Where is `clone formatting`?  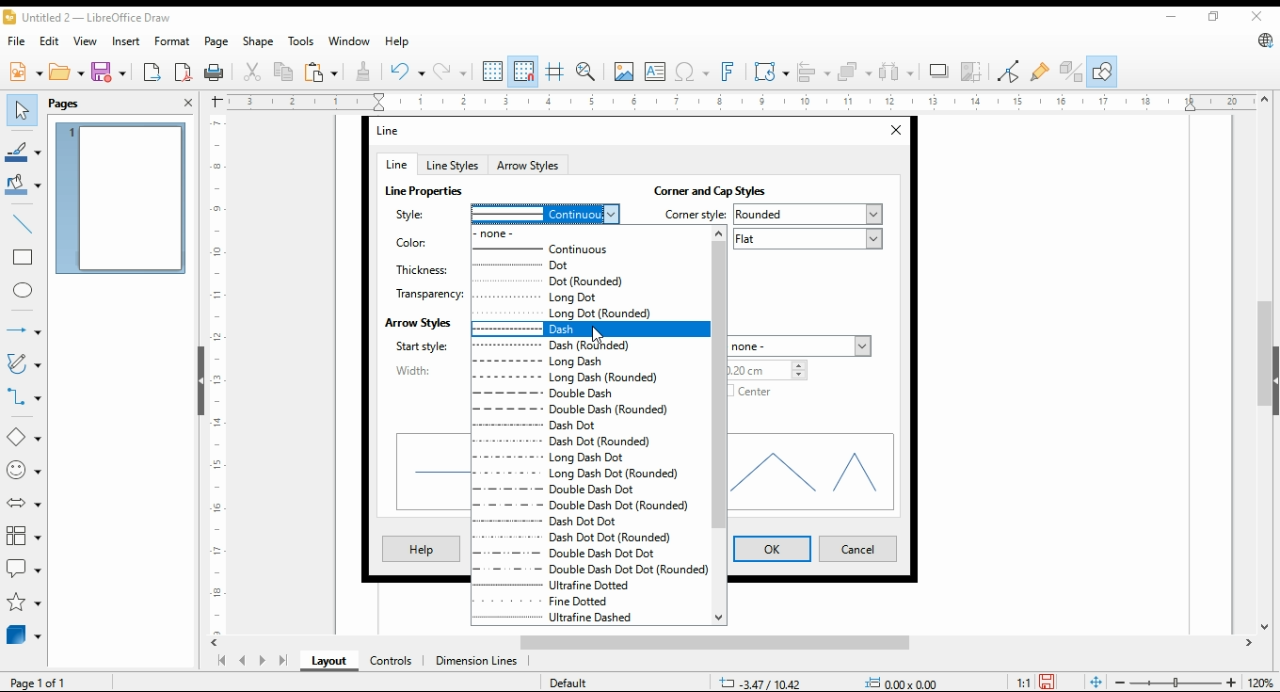 clone formatting is located at coordinates (367, 72).